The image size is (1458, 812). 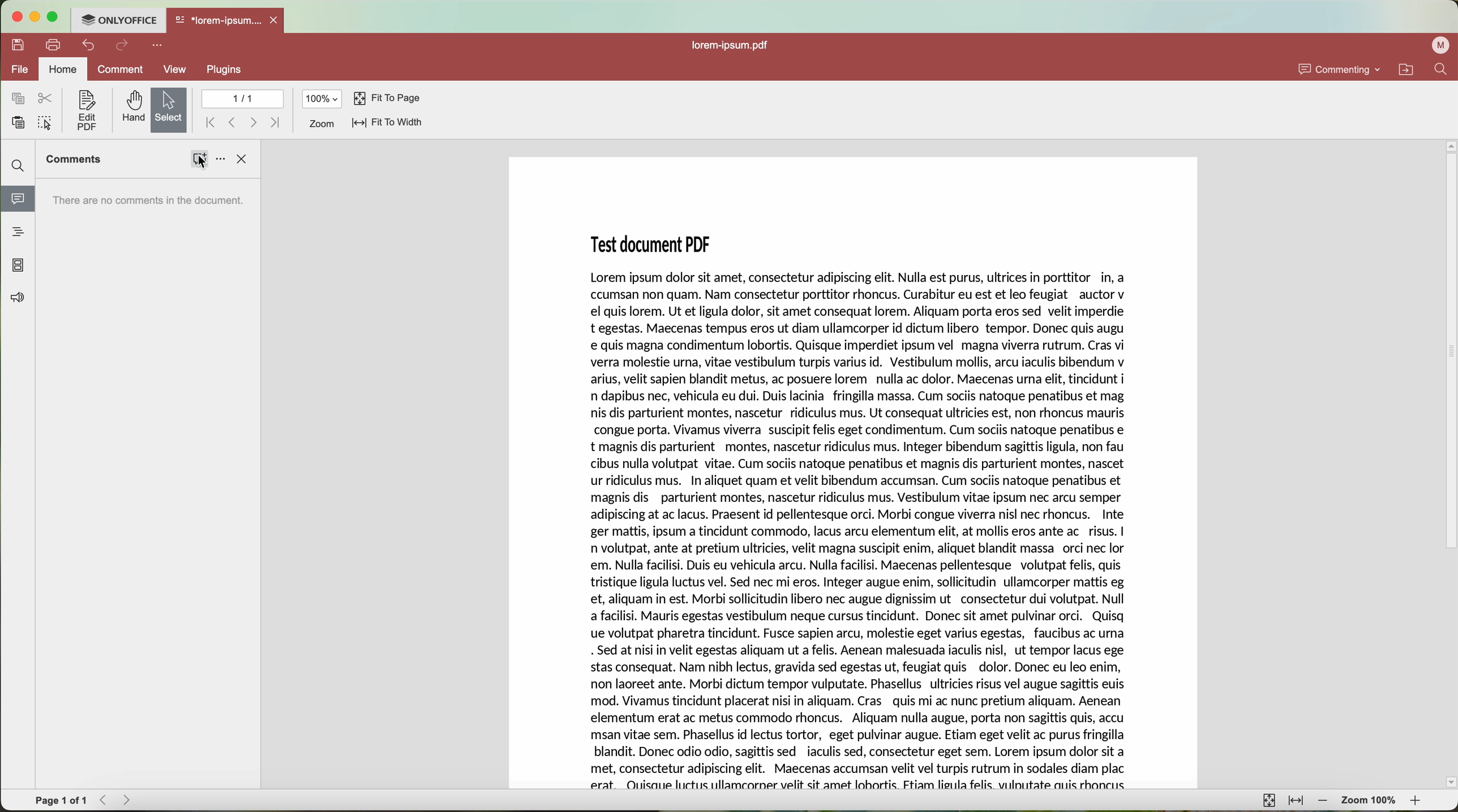 I want to click on fit to page, so click(x=1269, y=801).